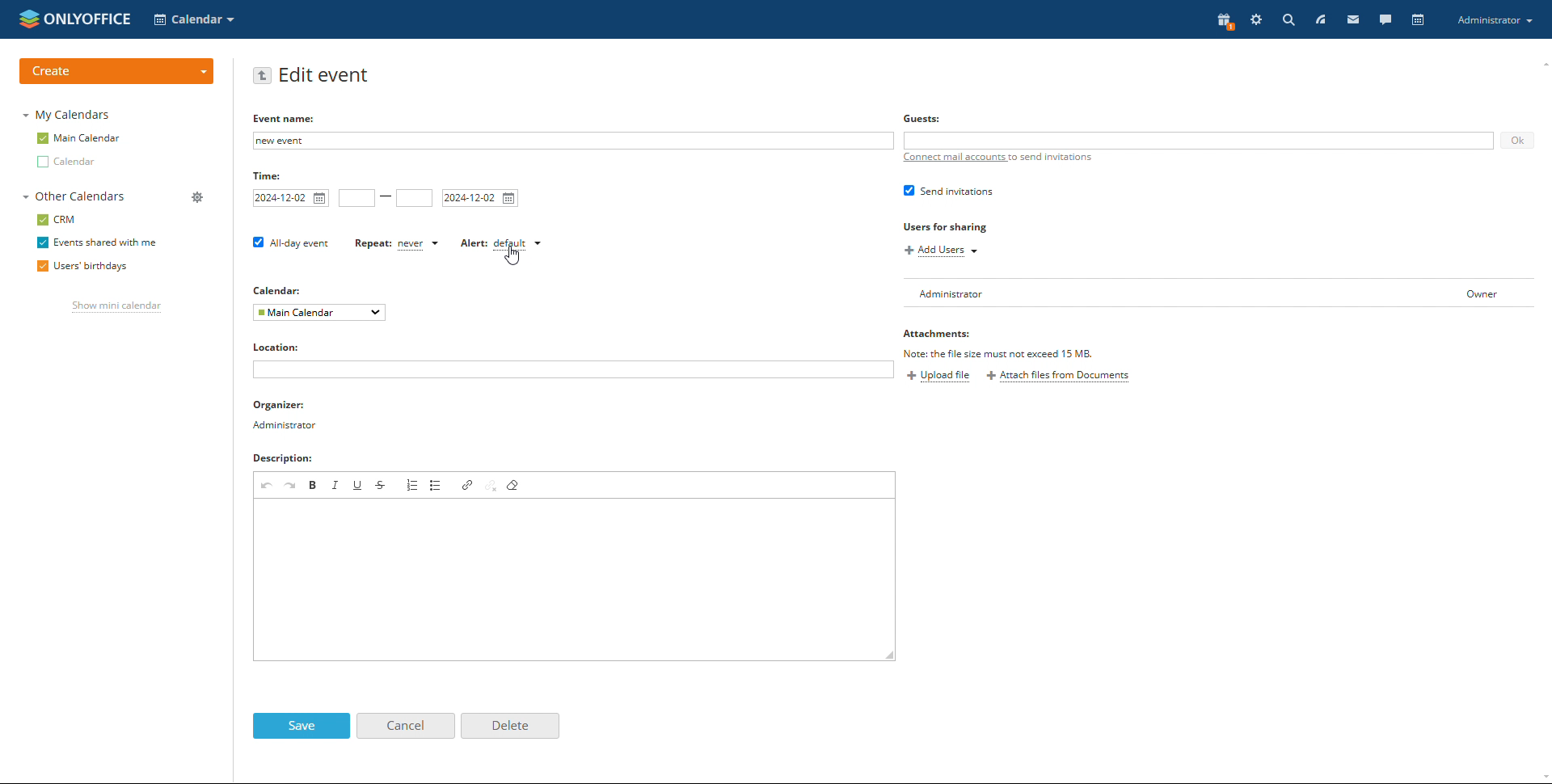 This screenshot has height=784, width=1552. What do you see at coordinates (948, 192) in the screenshot?
I see `send invitation` at bounding box center [948, 192].